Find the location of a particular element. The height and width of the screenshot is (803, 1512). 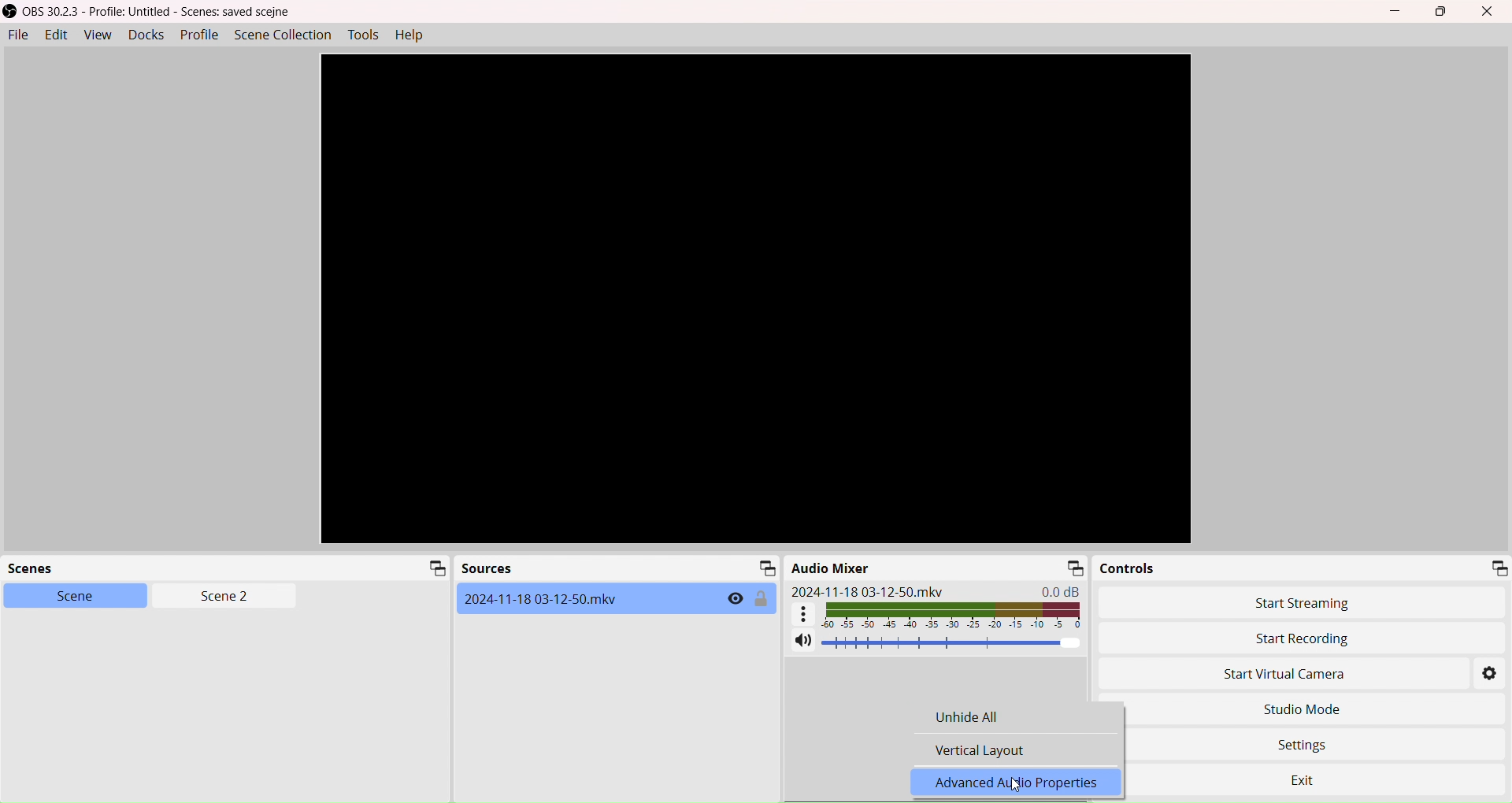

Settings is located at coordinates (1491, 675).